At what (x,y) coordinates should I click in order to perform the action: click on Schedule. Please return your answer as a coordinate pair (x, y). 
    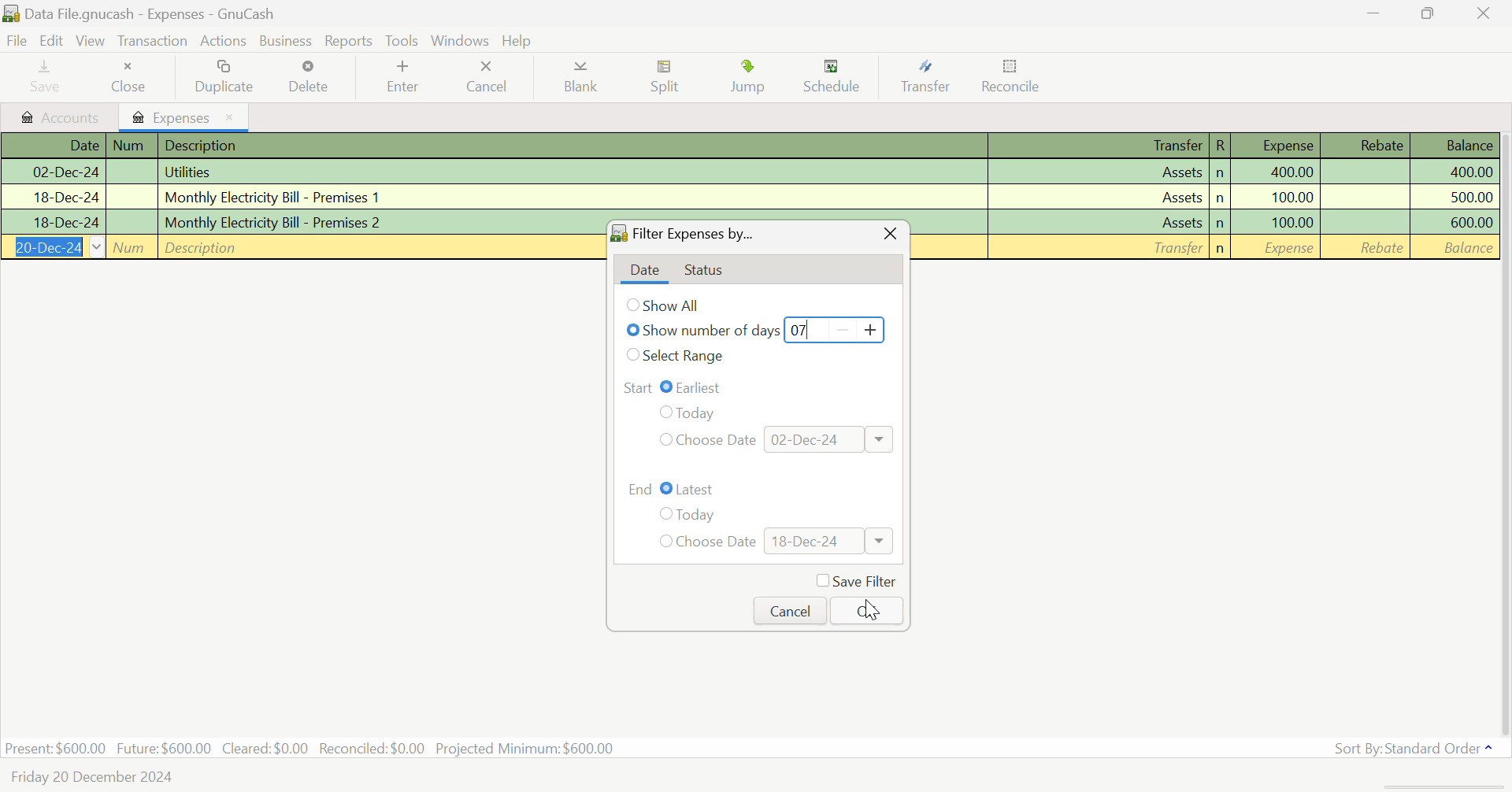
    Looking at the image, I should click on (839, 79).